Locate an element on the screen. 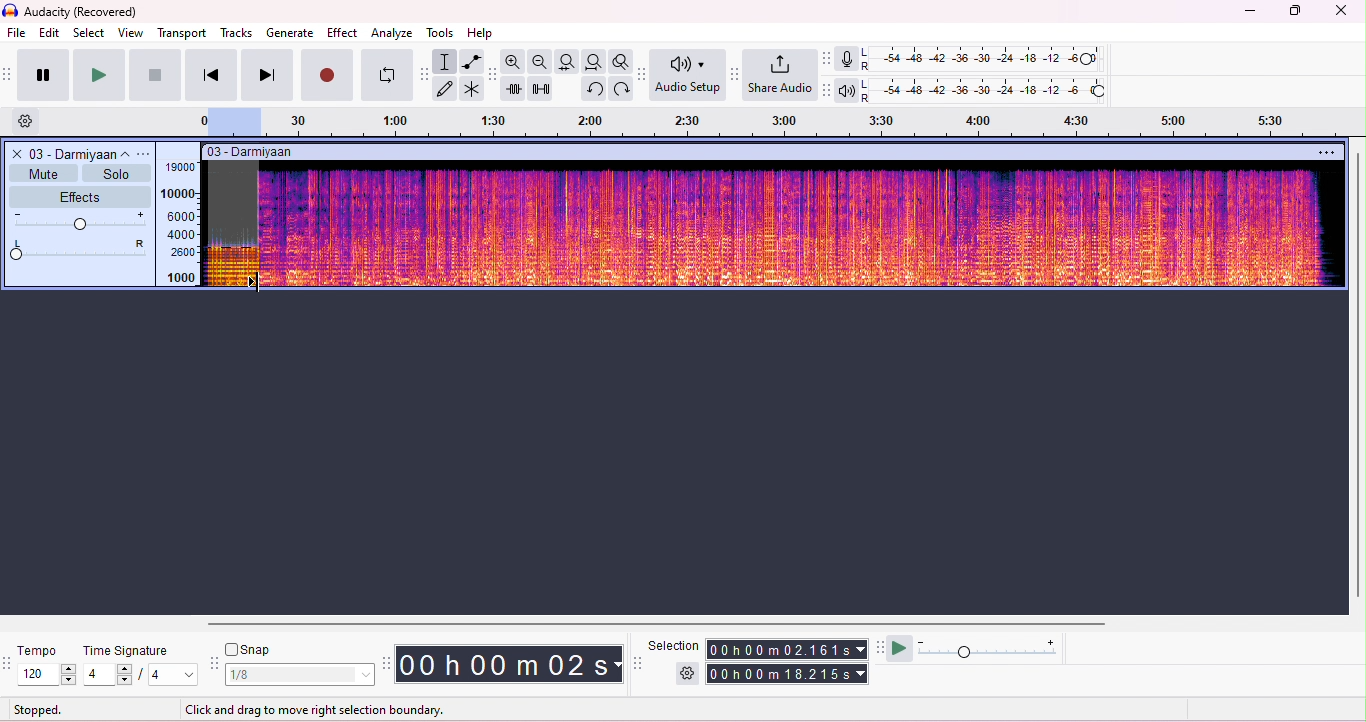 The height and width of the screenshot is (722, 1366). frequency is located at coordinates (181, 224).